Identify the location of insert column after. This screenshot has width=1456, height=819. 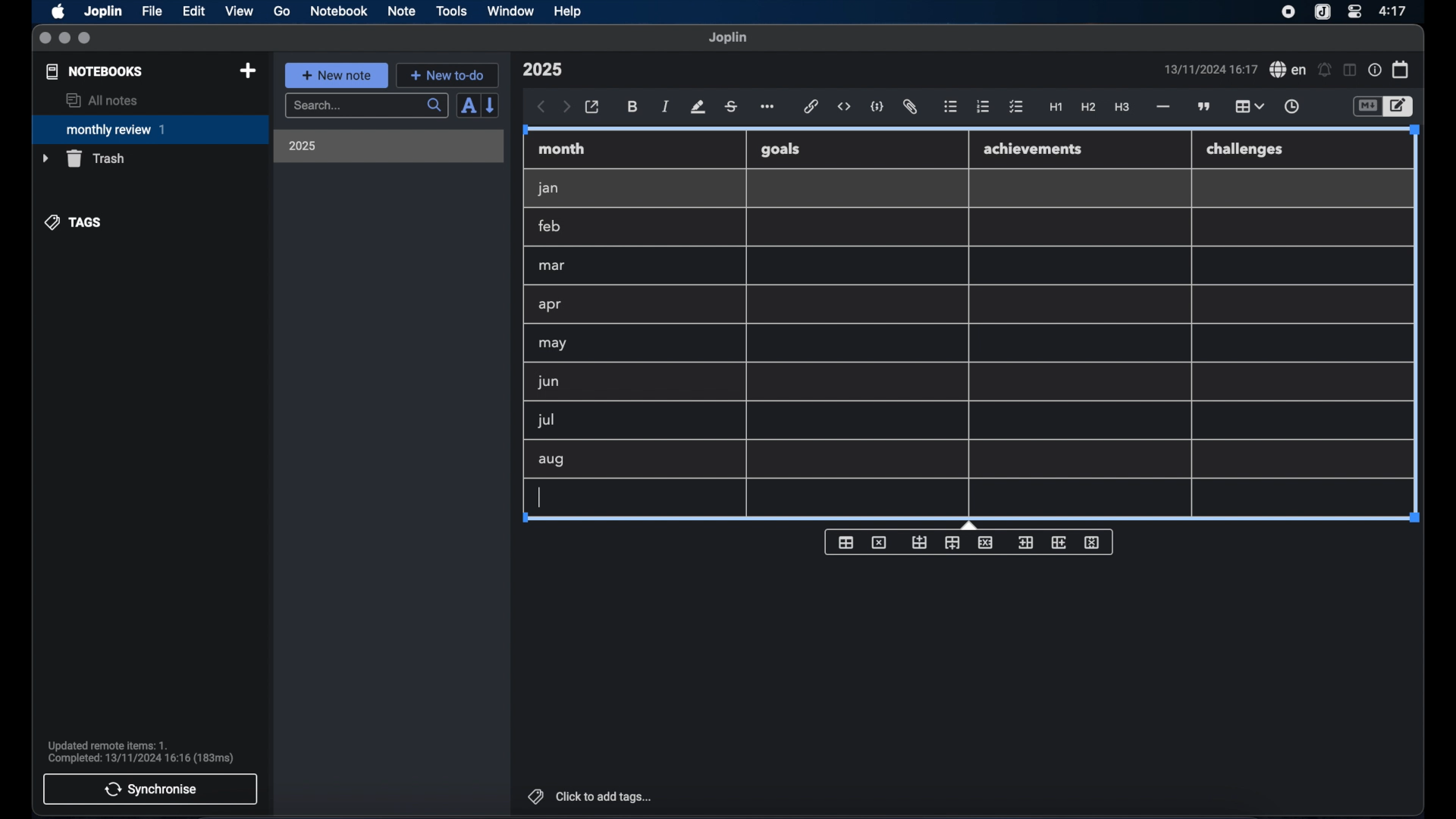
(1059, 542).